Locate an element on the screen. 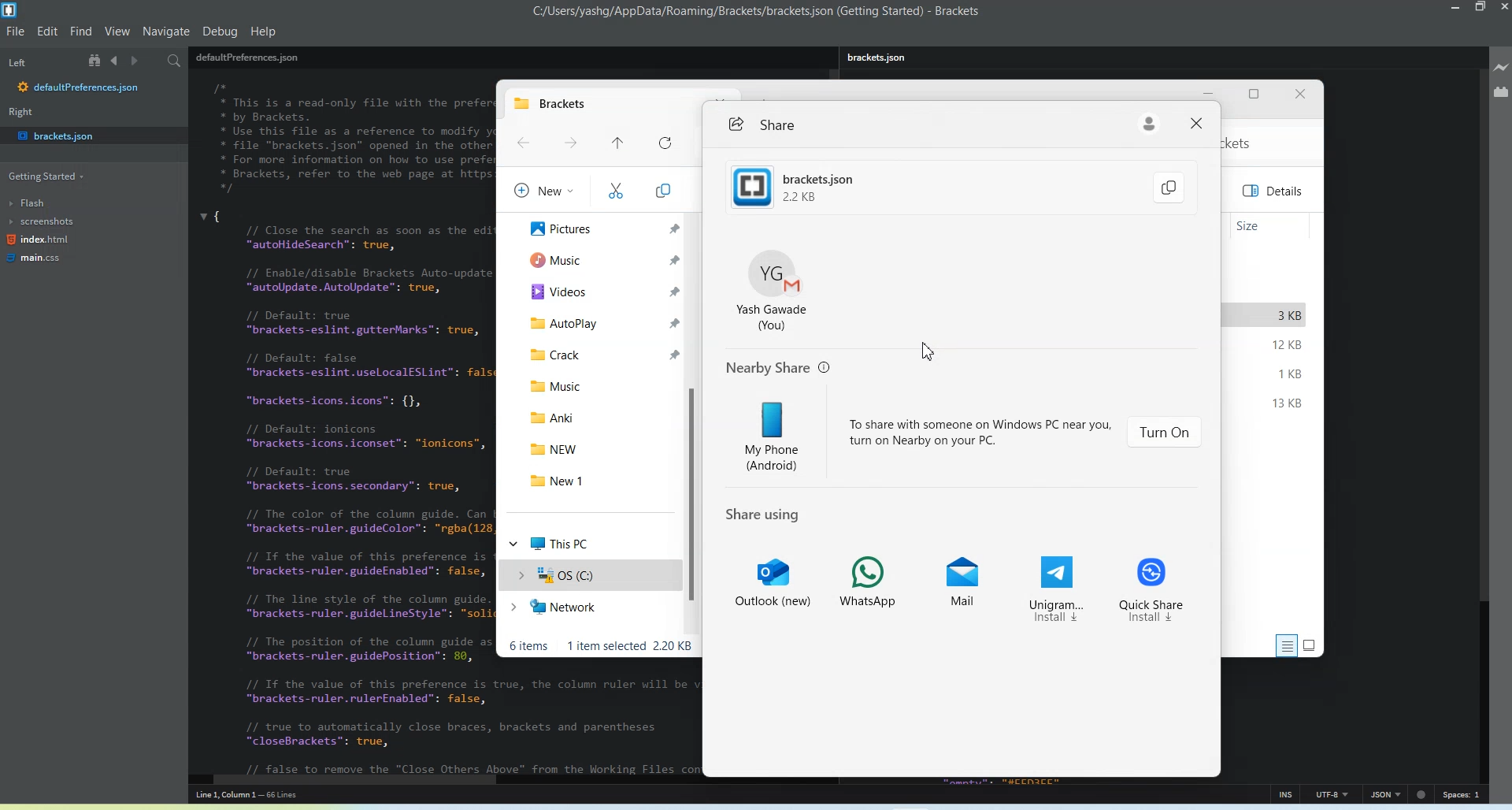 This screenshot has height=810, width=1512. defaultpreferences.json is located at coordinates (80, 88).